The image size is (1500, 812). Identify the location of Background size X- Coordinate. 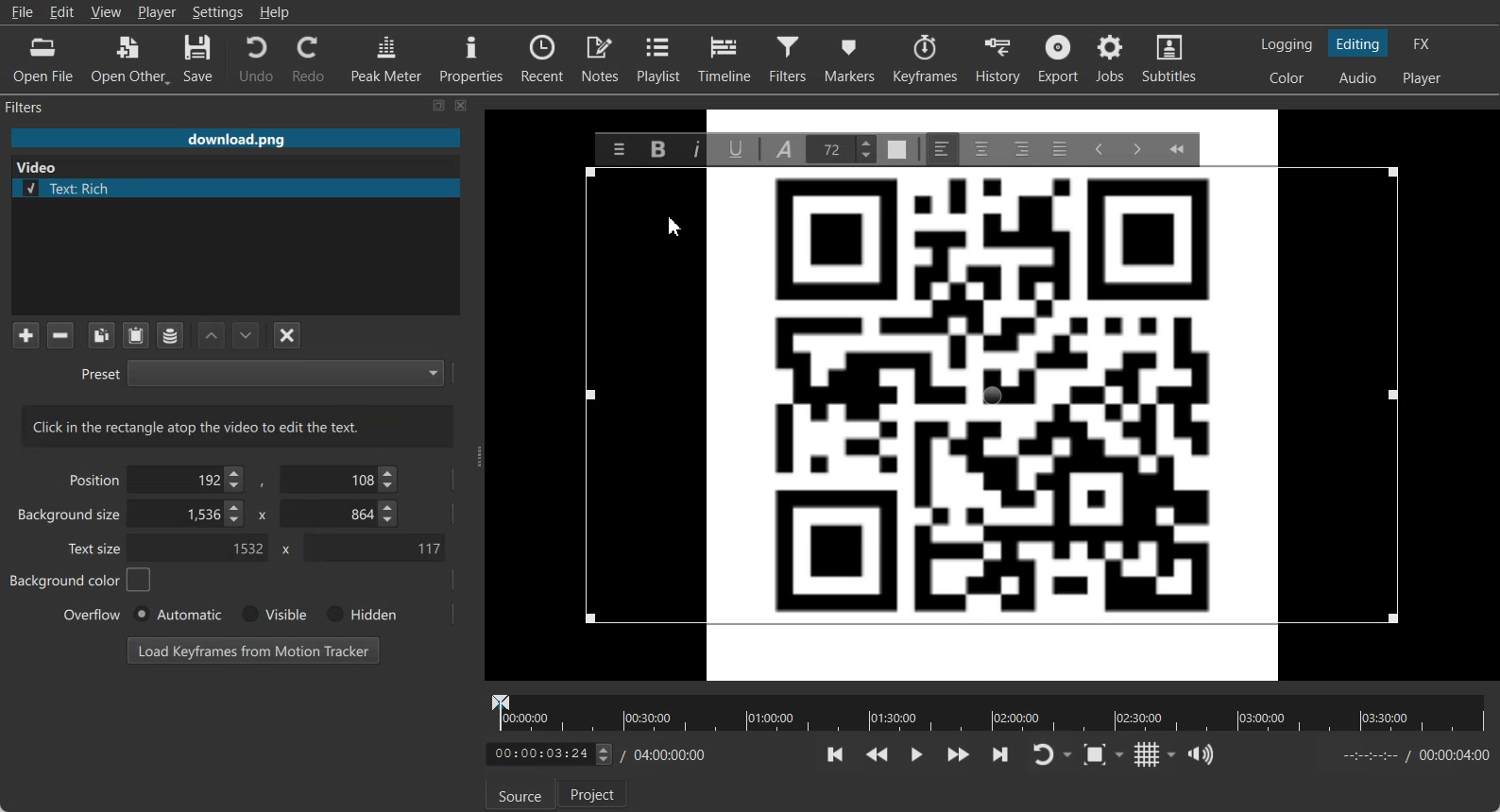
(191, 516).